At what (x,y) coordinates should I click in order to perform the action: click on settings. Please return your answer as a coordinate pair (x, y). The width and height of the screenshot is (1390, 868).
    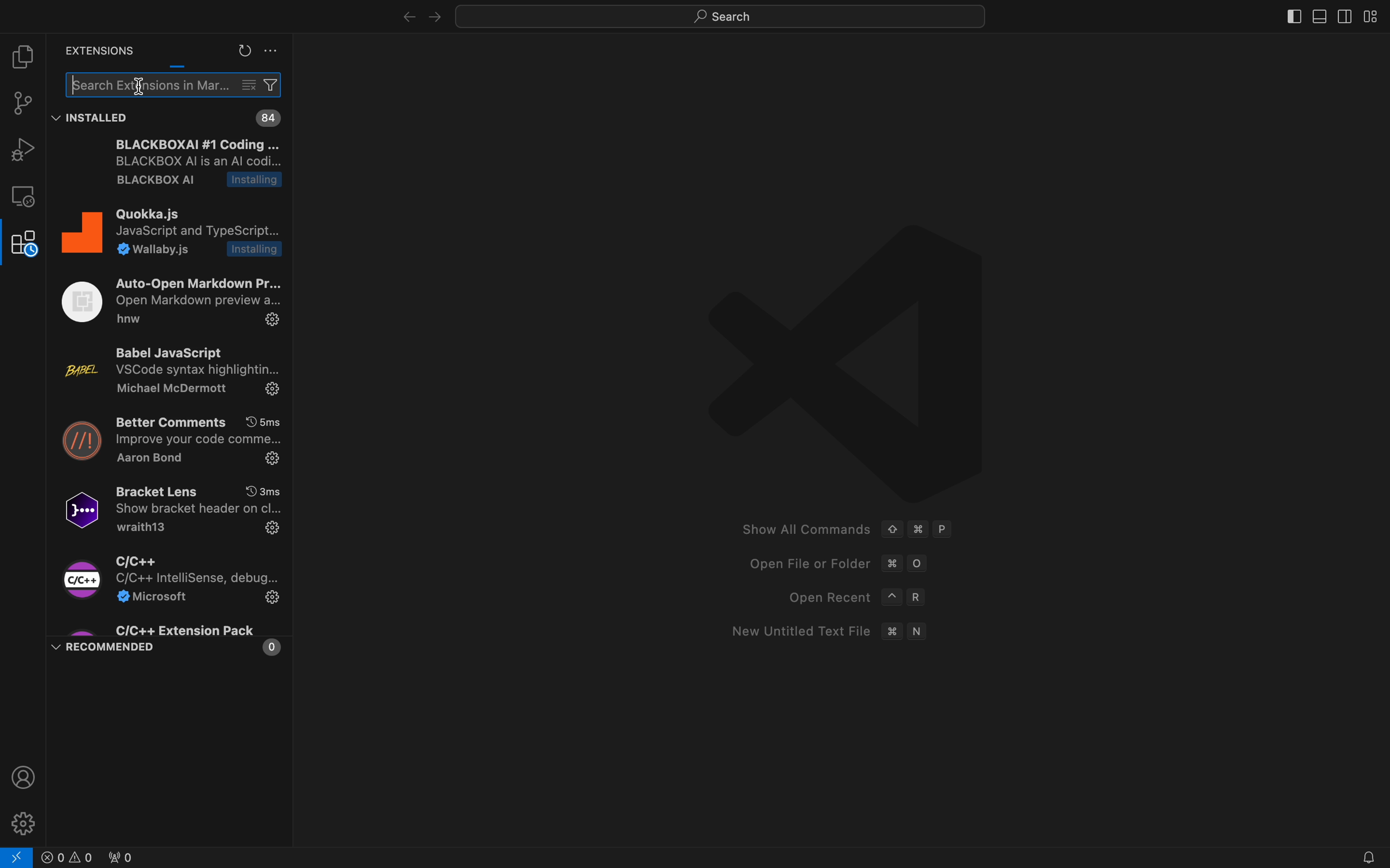
    Looking at the image, I should click on (25, 821).